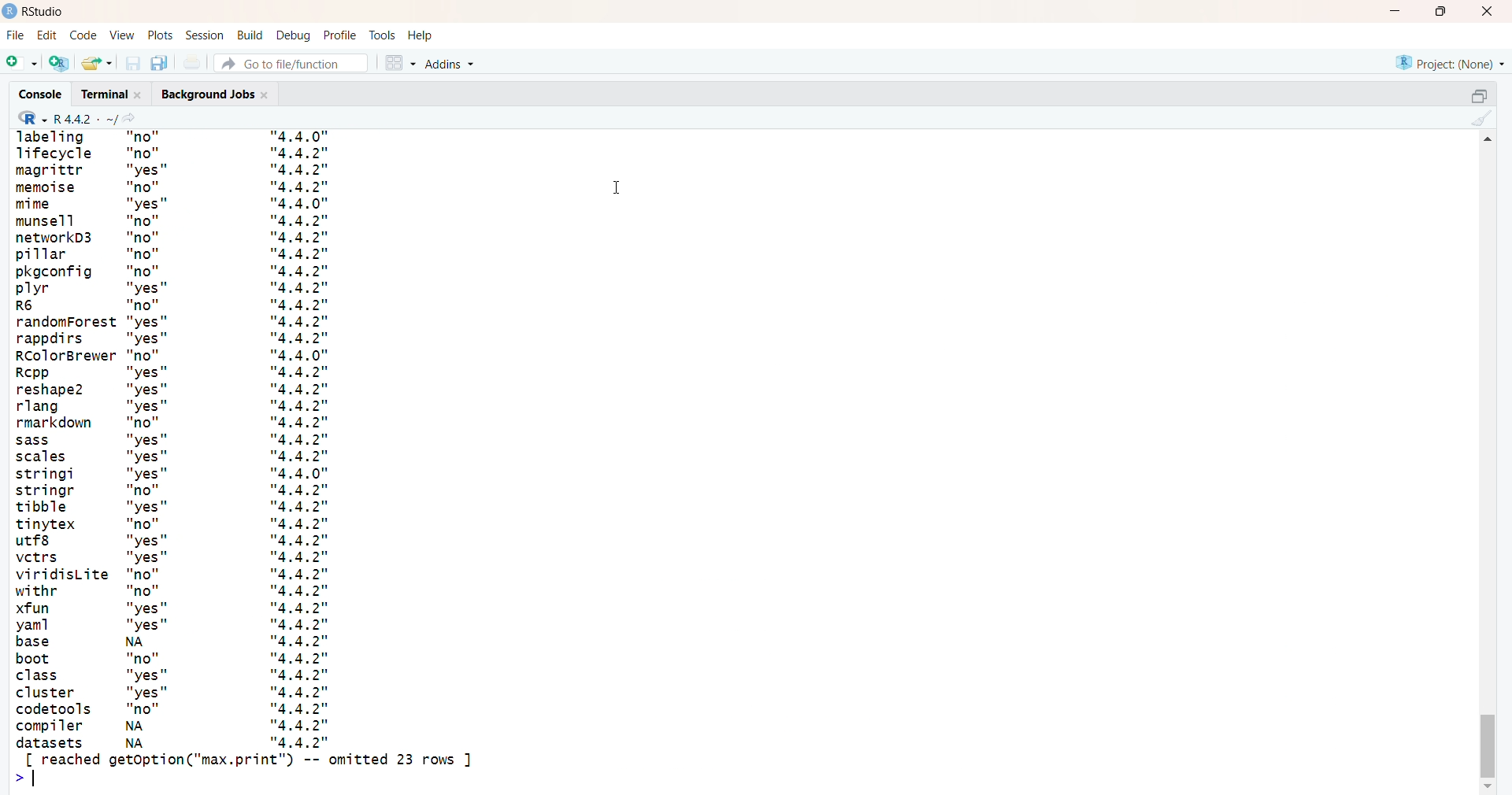 This screenshot has height=795, width=1512. I want to click on print the current file, so click(193, 64).